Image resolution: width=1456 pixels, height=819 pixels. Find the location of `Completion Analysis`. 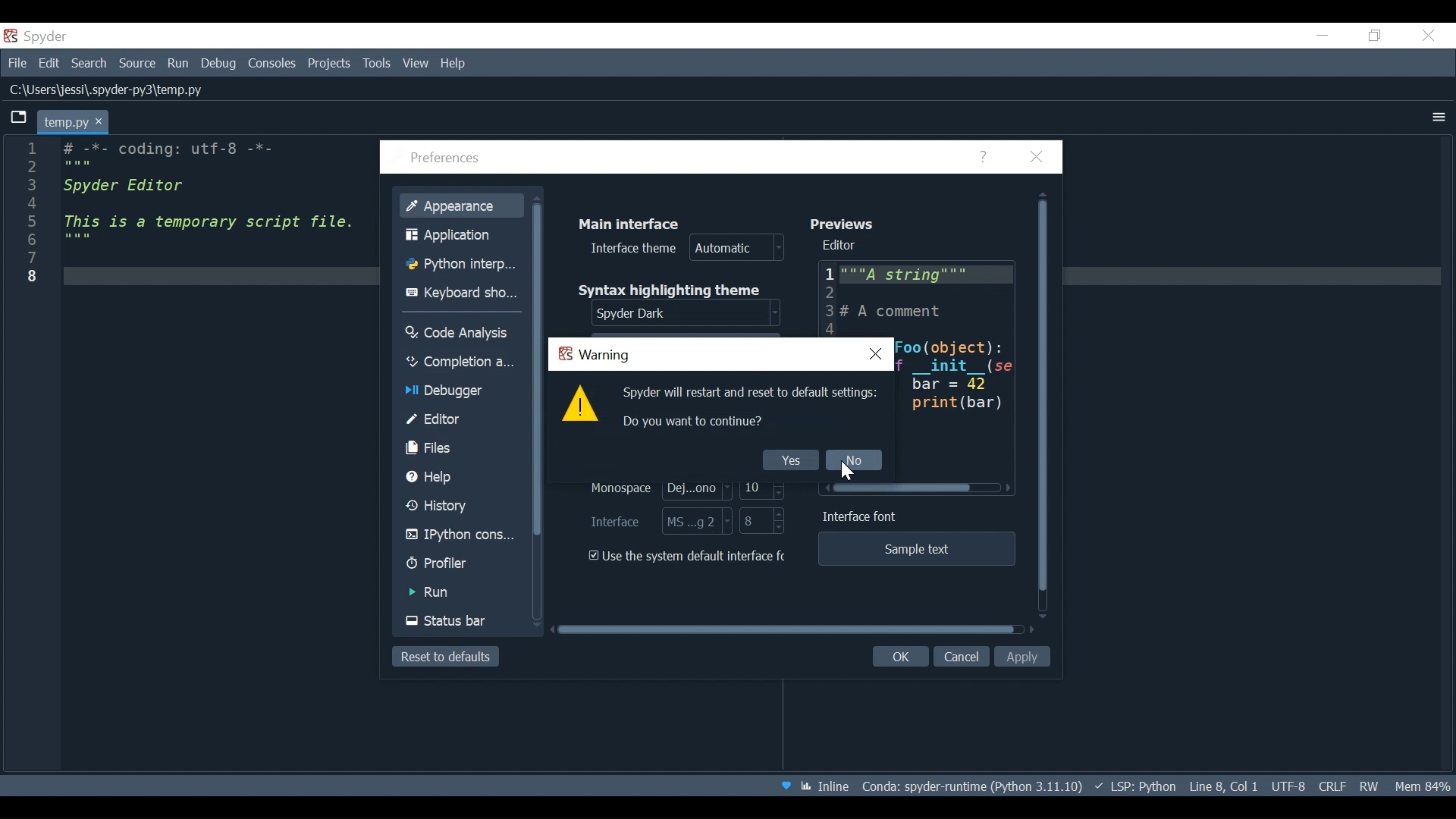

Completion Analysis is located at coordinates (460, 362).